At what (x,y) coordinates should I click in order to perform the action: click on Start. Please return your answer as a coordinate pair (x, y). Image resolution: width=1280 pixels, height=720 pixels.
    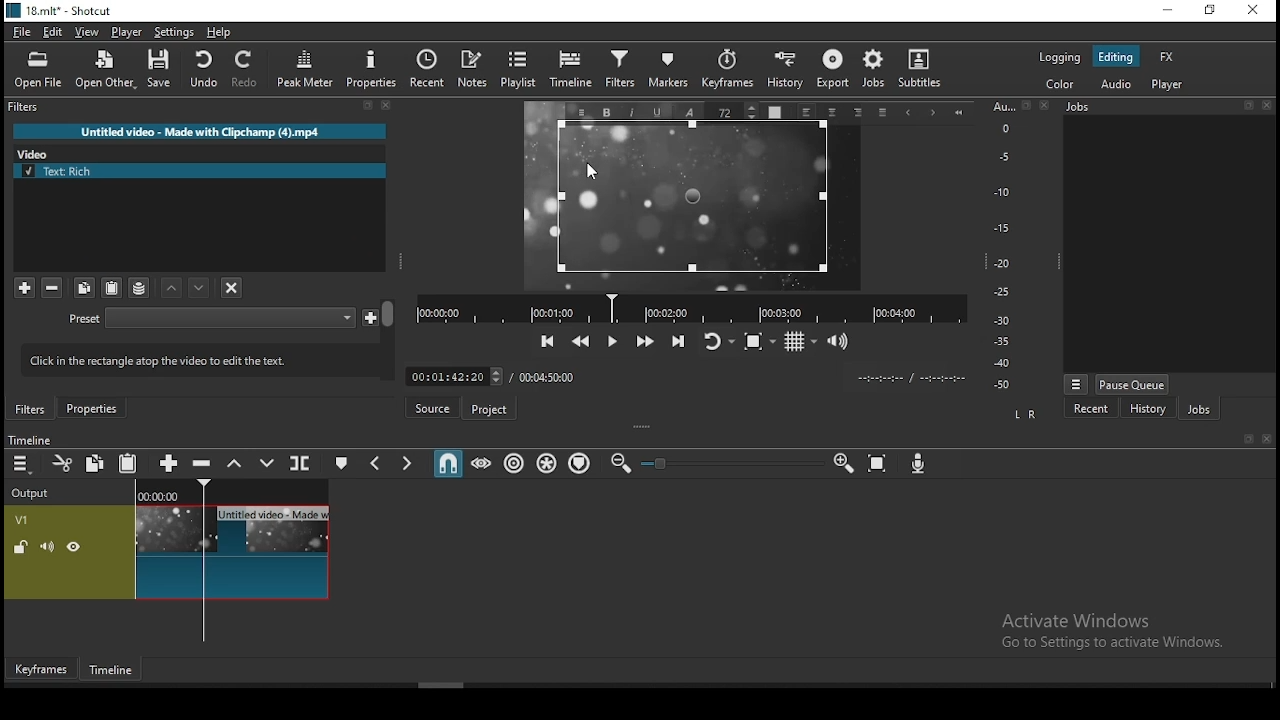
    Looking at the image, I should click on (959, 113).